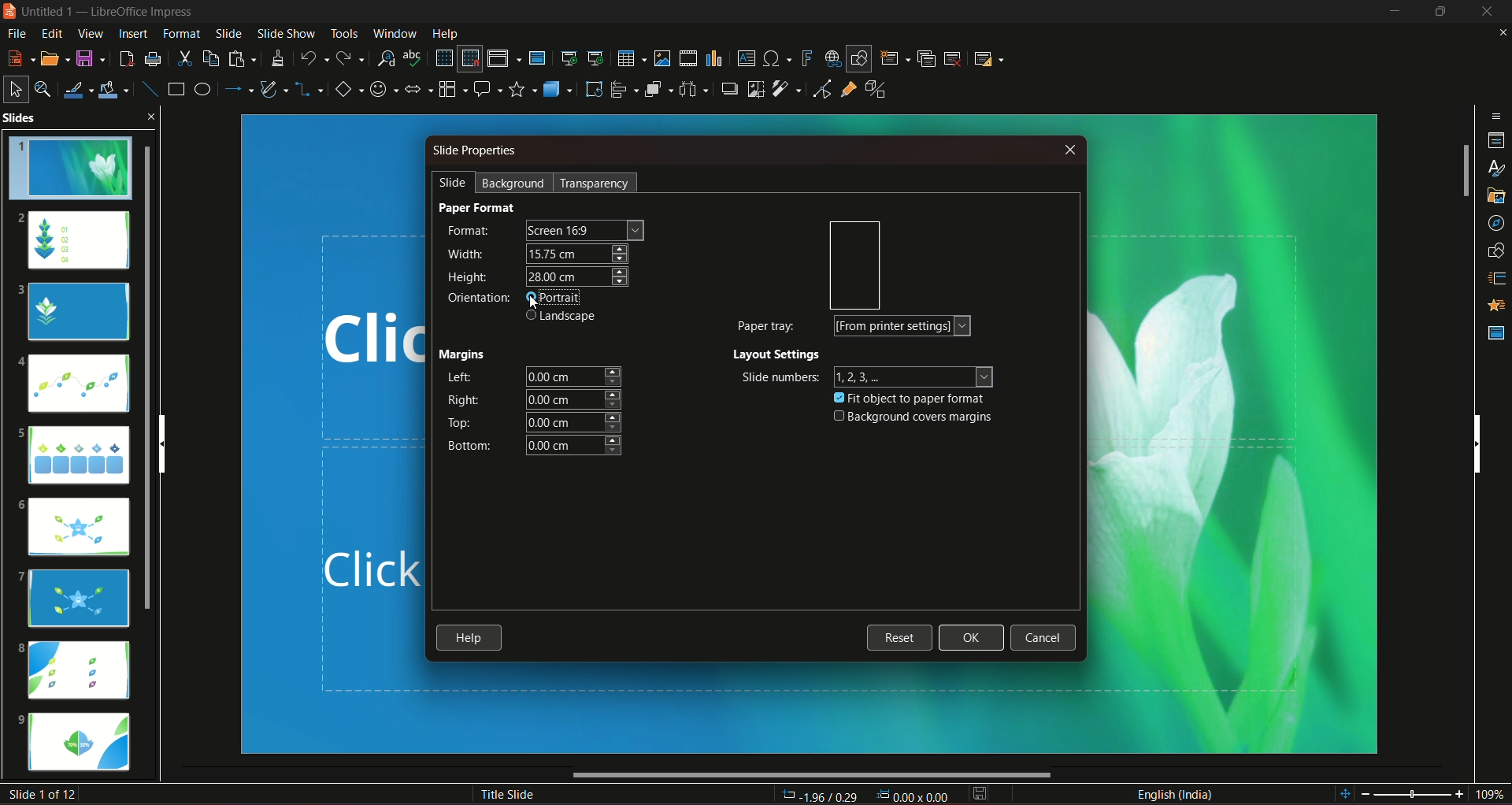 This screenshot has height=805, width=1512. What do you see at coordinates (174, 443) in the screenshot?
I see `vertical scroll` at bounding box center [174, 443].